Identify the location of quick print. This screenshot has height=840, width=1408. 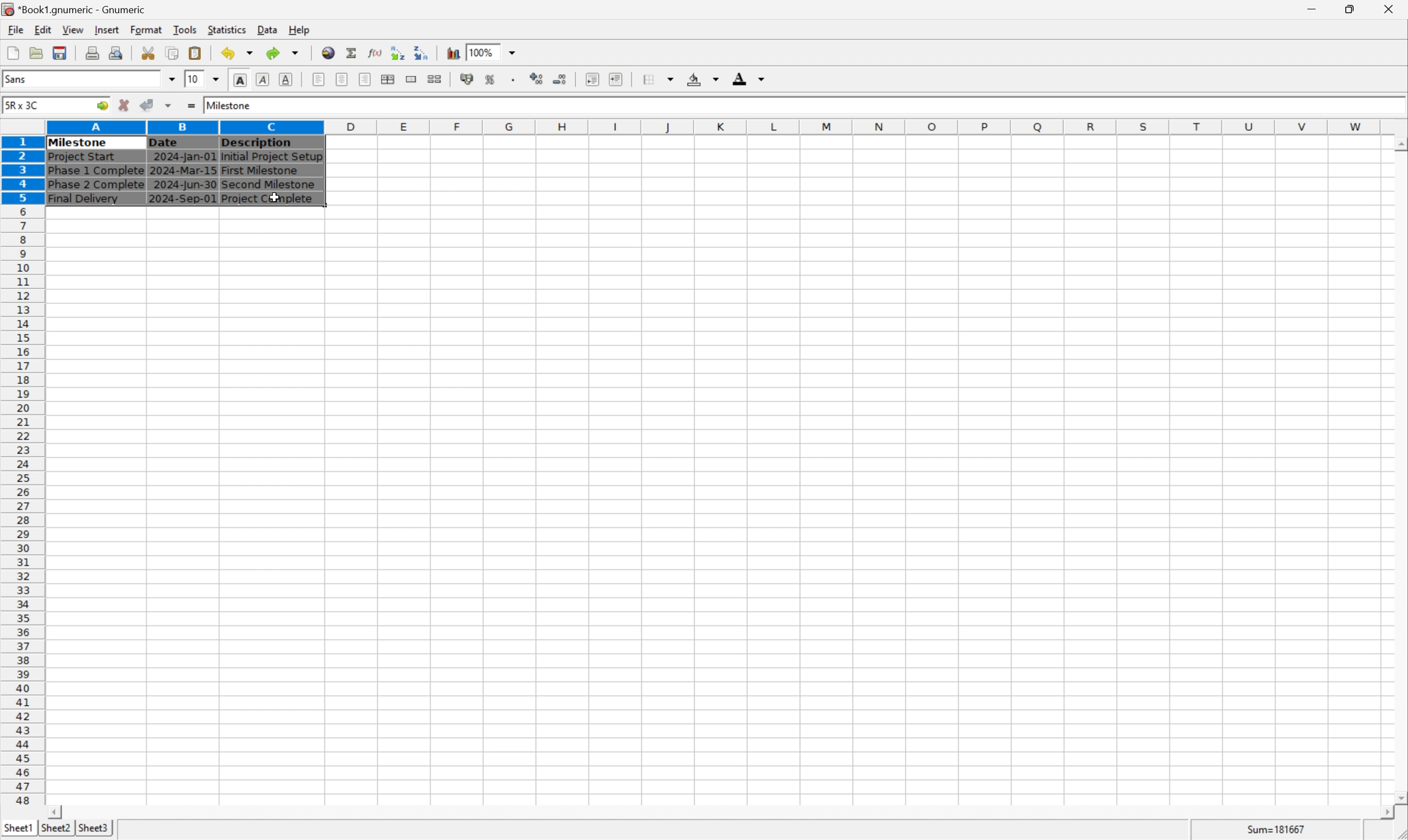
(117, 53).